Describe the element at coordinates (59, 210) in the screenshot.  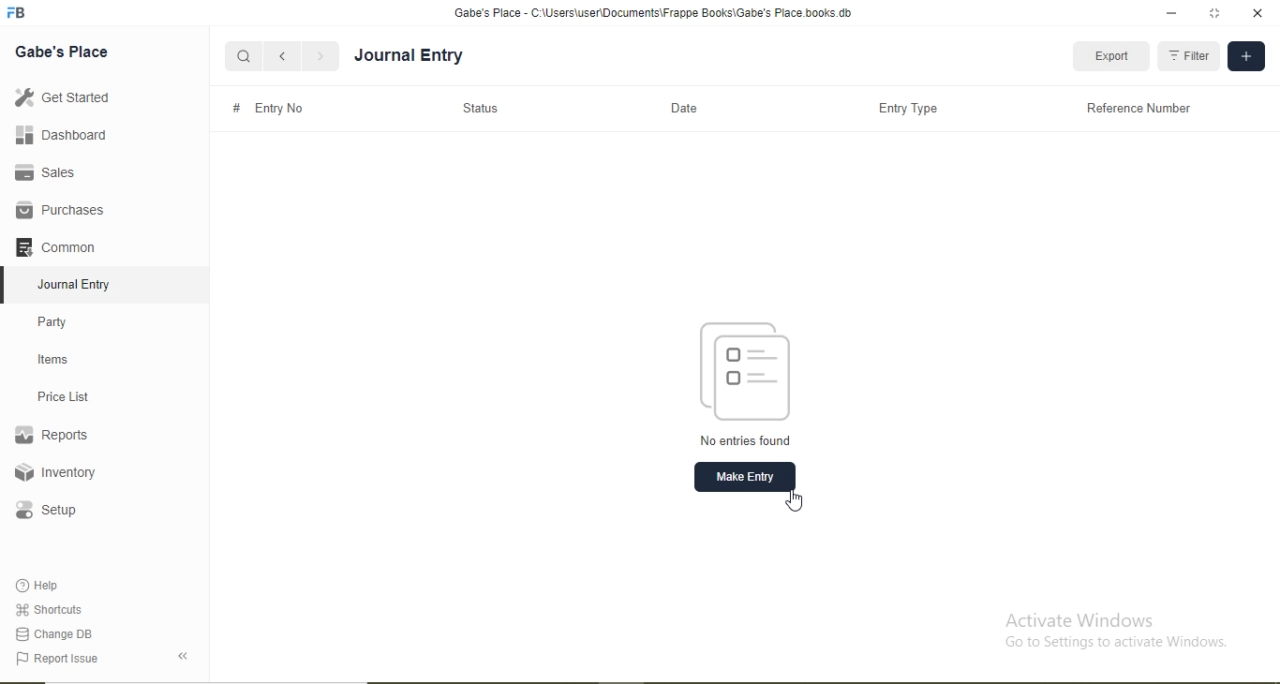
I see `Purchases` at that location.